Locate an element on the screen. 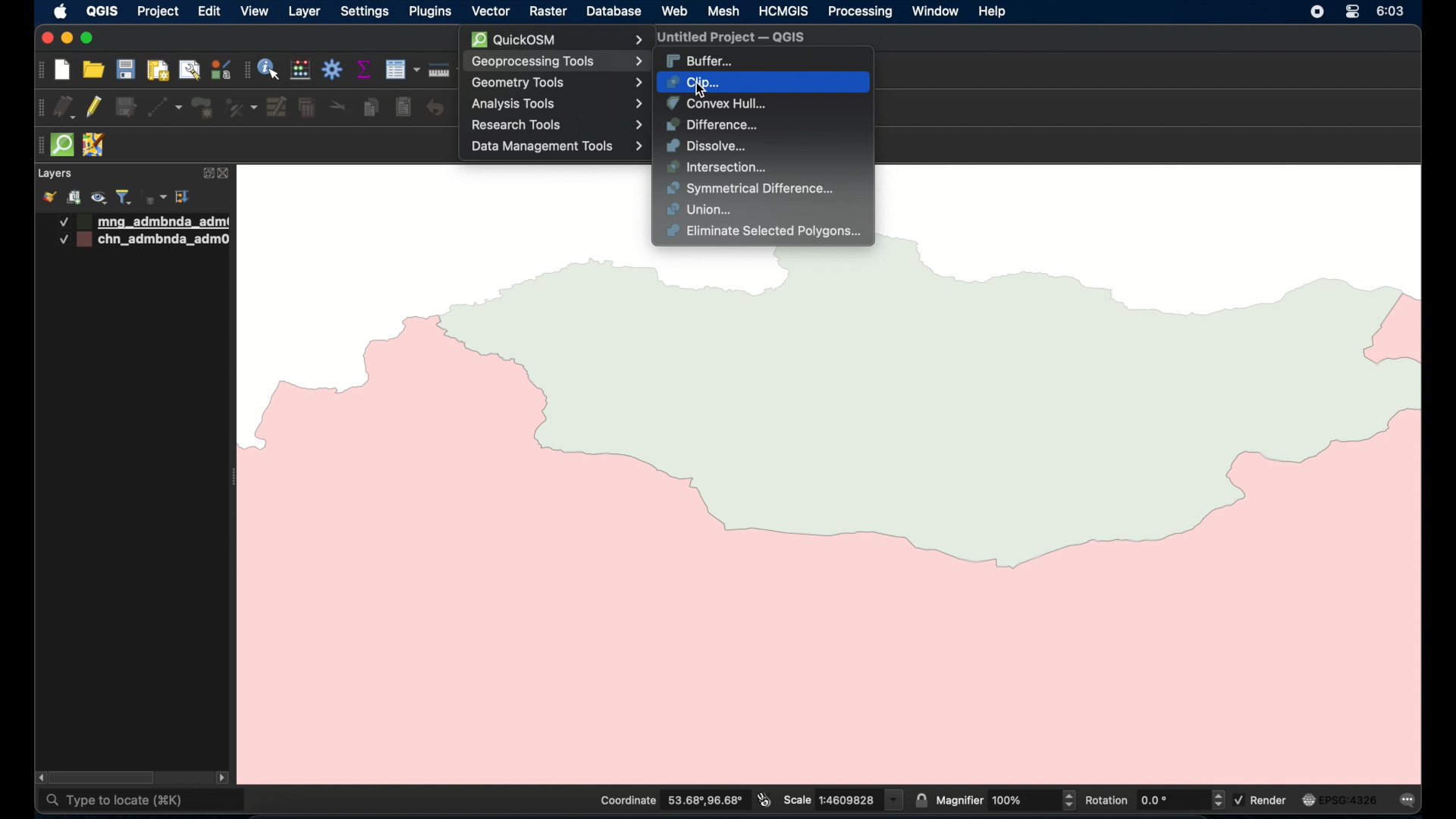 The image size is (1456, 819). show statistical summary is located at coordinates (365, 69).